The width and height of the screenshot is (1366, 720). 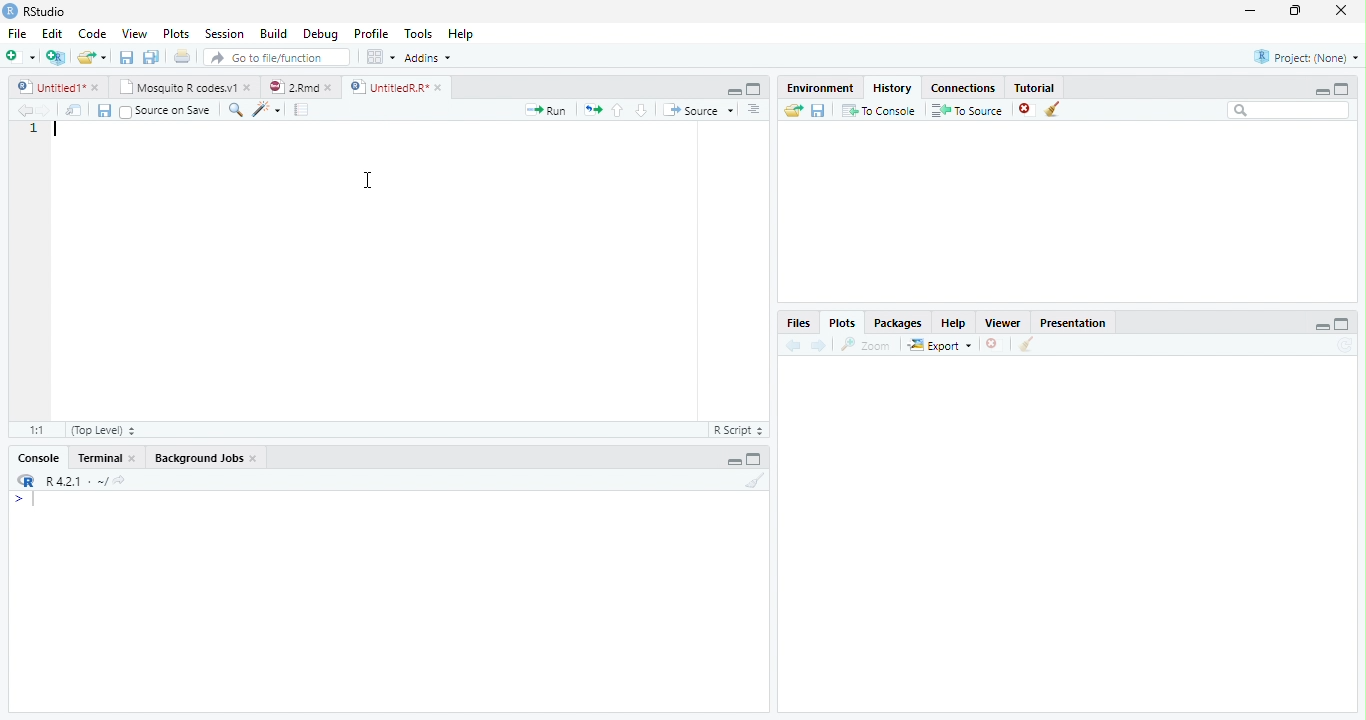 I want to click on Code, so click(x=94, y=35).